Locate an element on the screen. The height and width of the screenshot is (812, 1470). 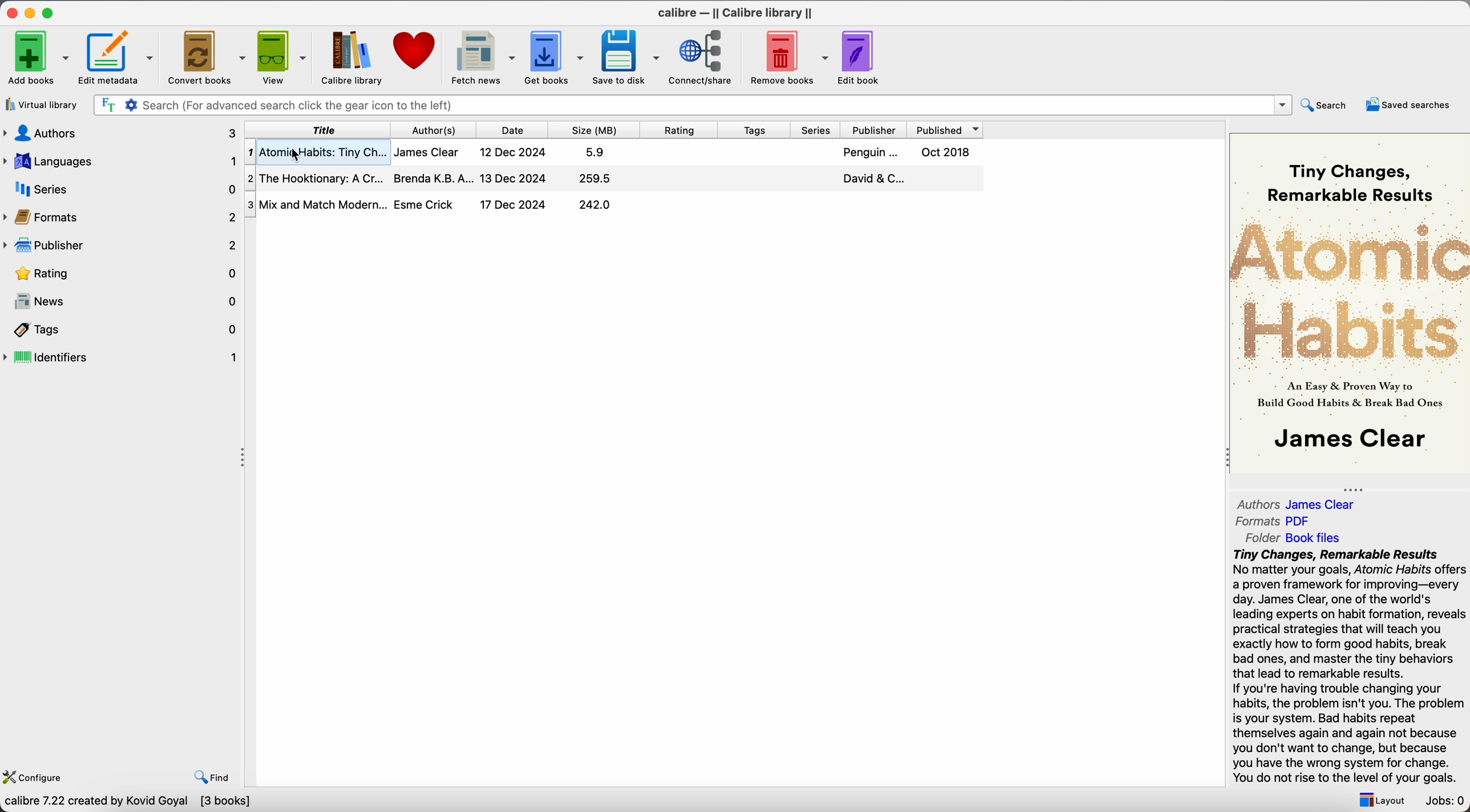
get books is located at coordinates (555, 58).